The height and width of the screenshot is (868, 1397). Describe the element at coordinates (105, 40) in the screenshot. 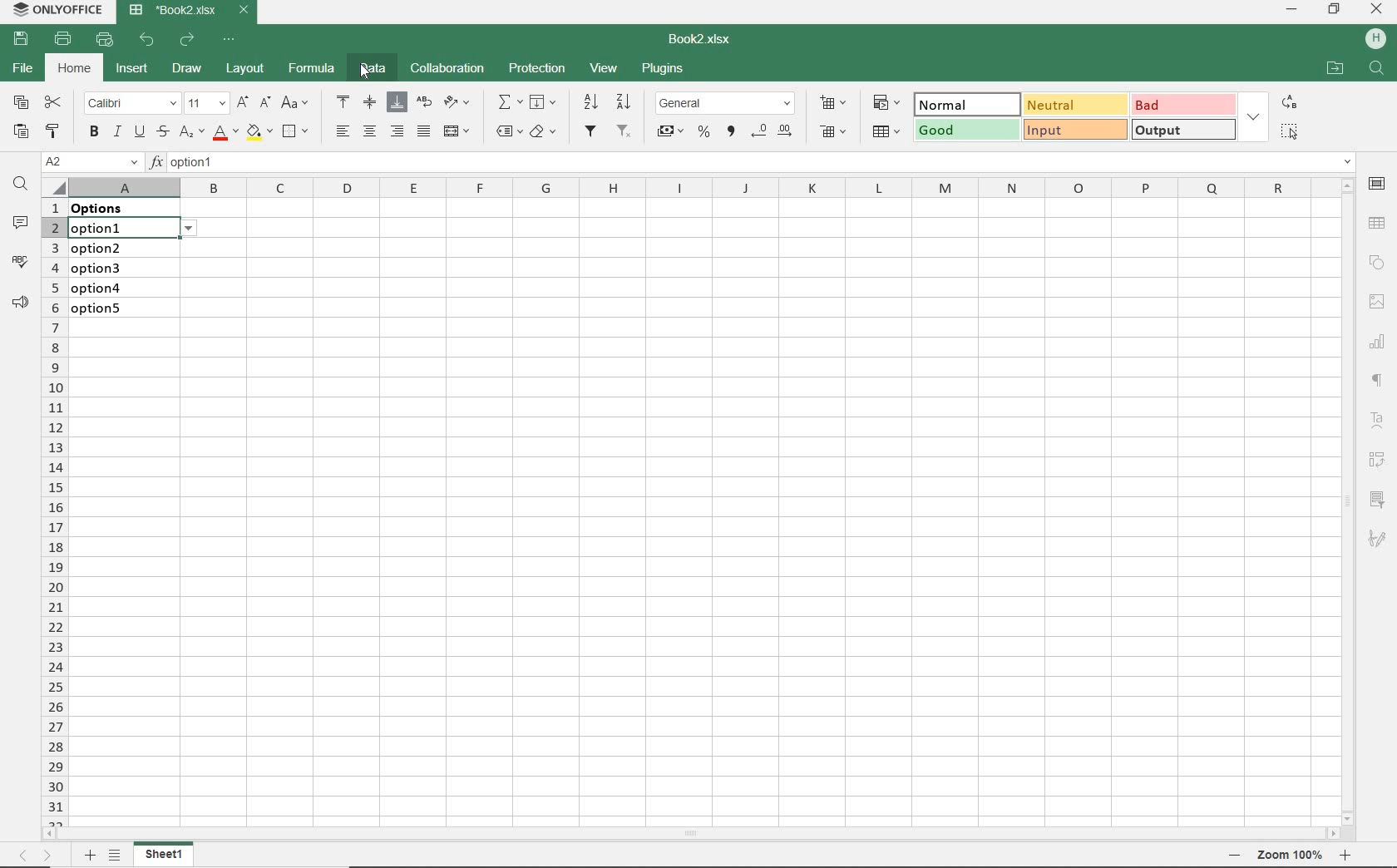

I see `QUICK PRINT` at that location.